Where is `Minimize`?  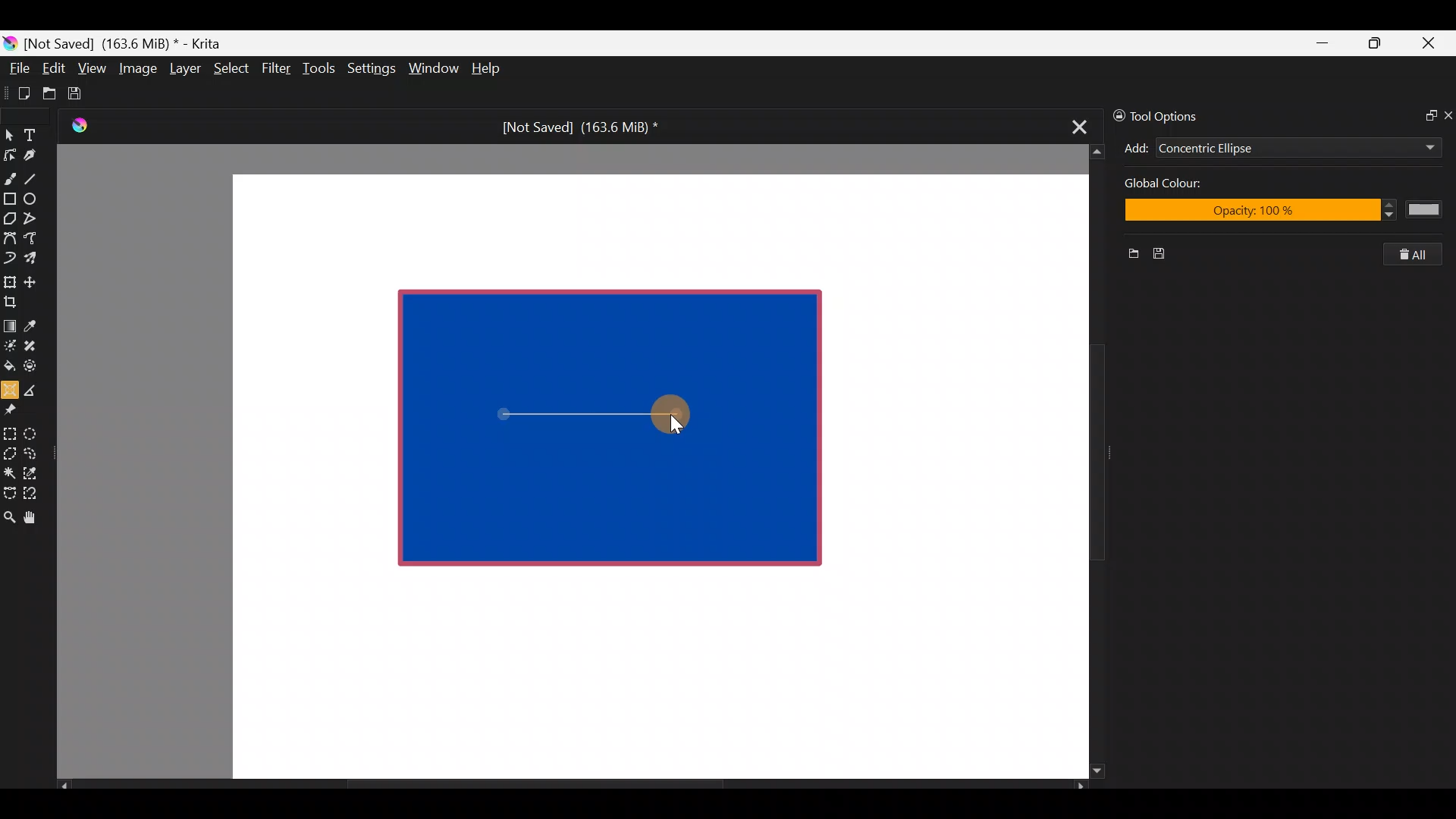 Minimize is located at coordinates (1323, 43).